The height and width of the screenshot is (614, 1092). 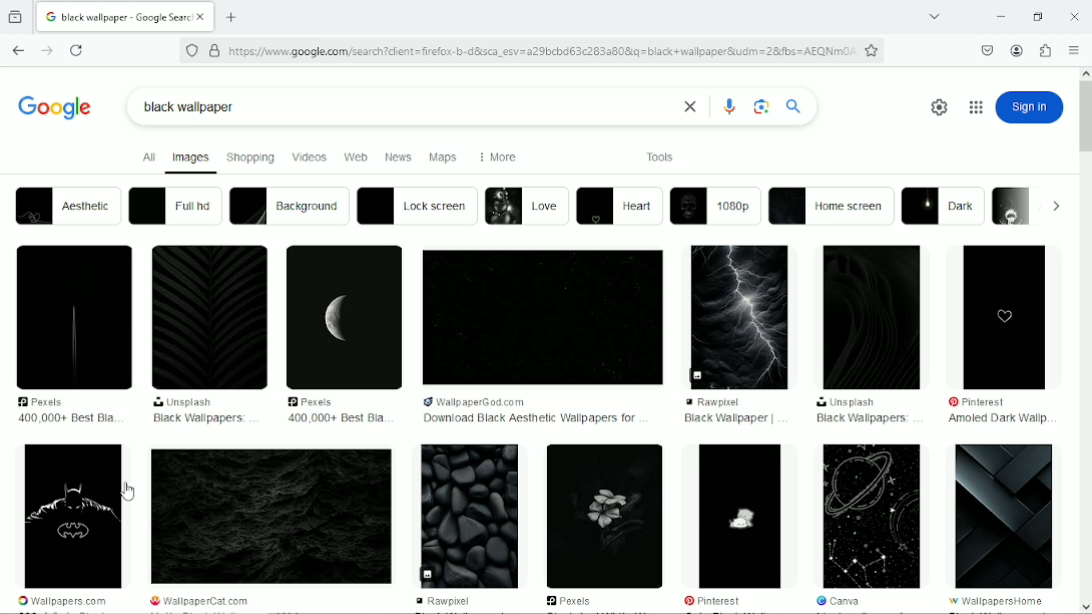 I want to click on black image, so click(x=873, y=318).